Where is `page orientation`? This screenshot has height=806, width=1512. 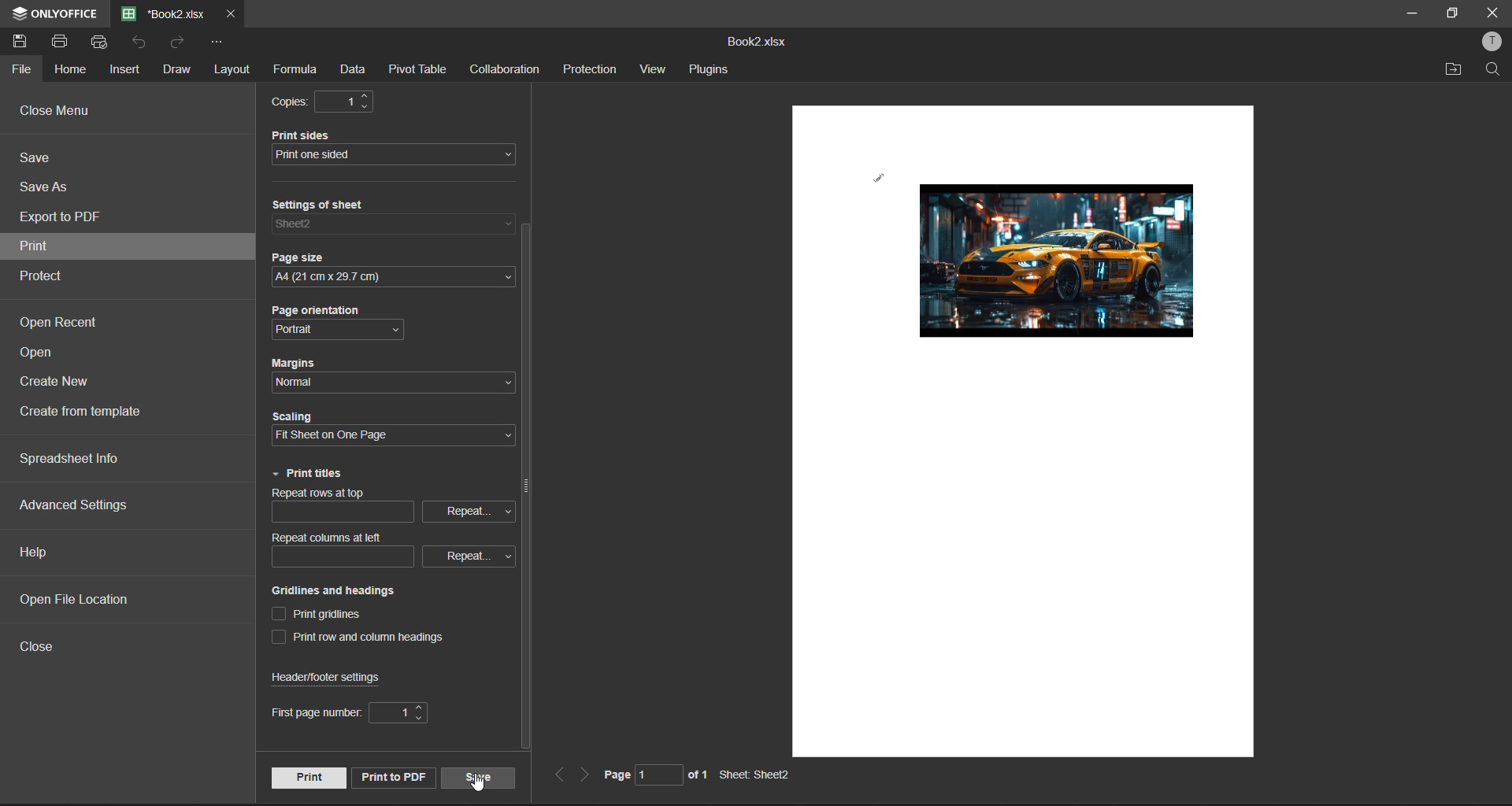 page orientation is located at coordinates (328, 312).